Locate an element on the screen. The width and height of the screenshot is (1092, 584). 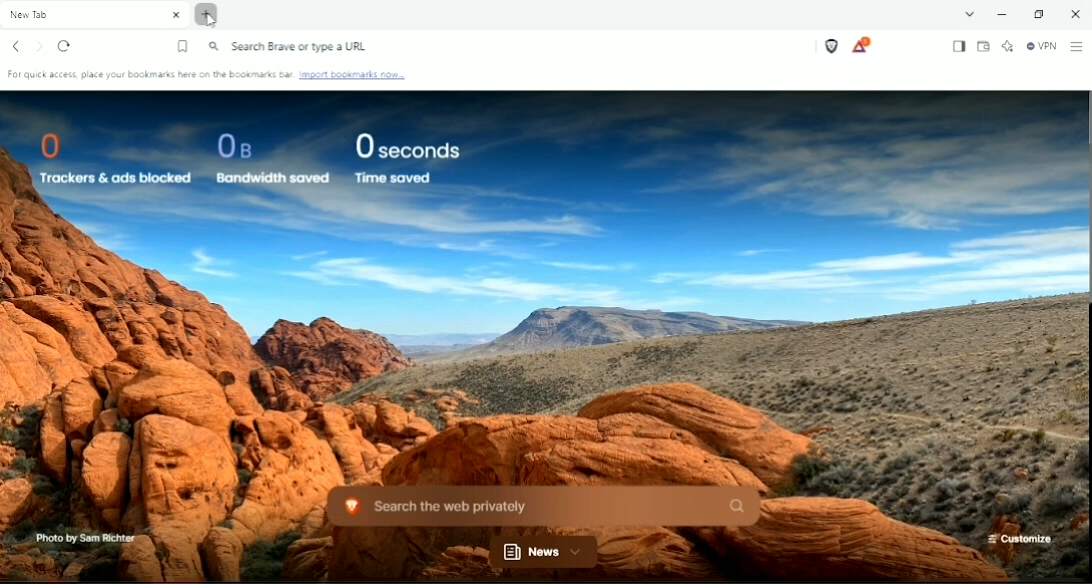
New Tab is located at coordinates (94, 14).